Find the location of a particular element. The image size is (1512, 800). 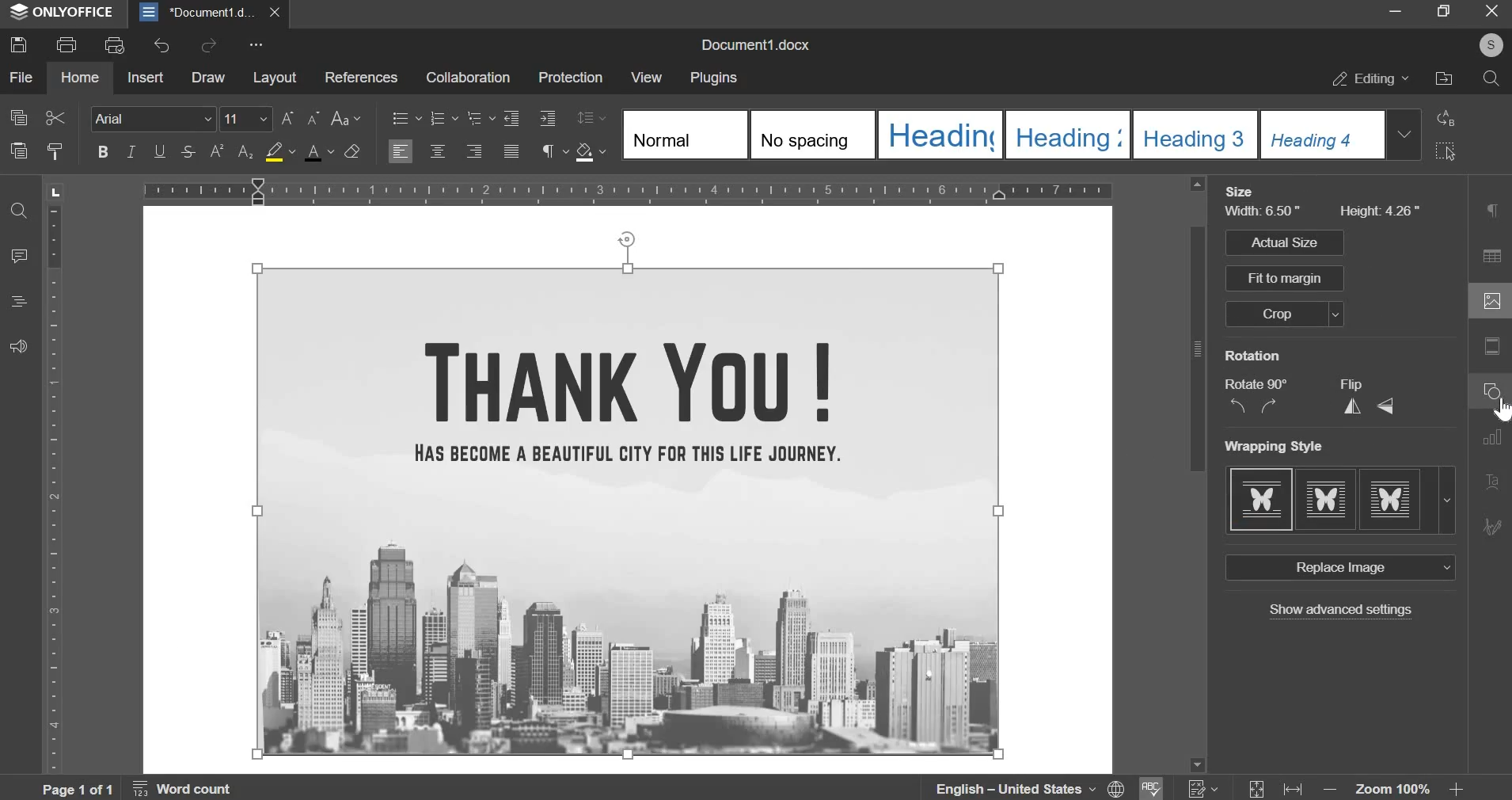

scrollbar is located at coordinates (1195, 471).